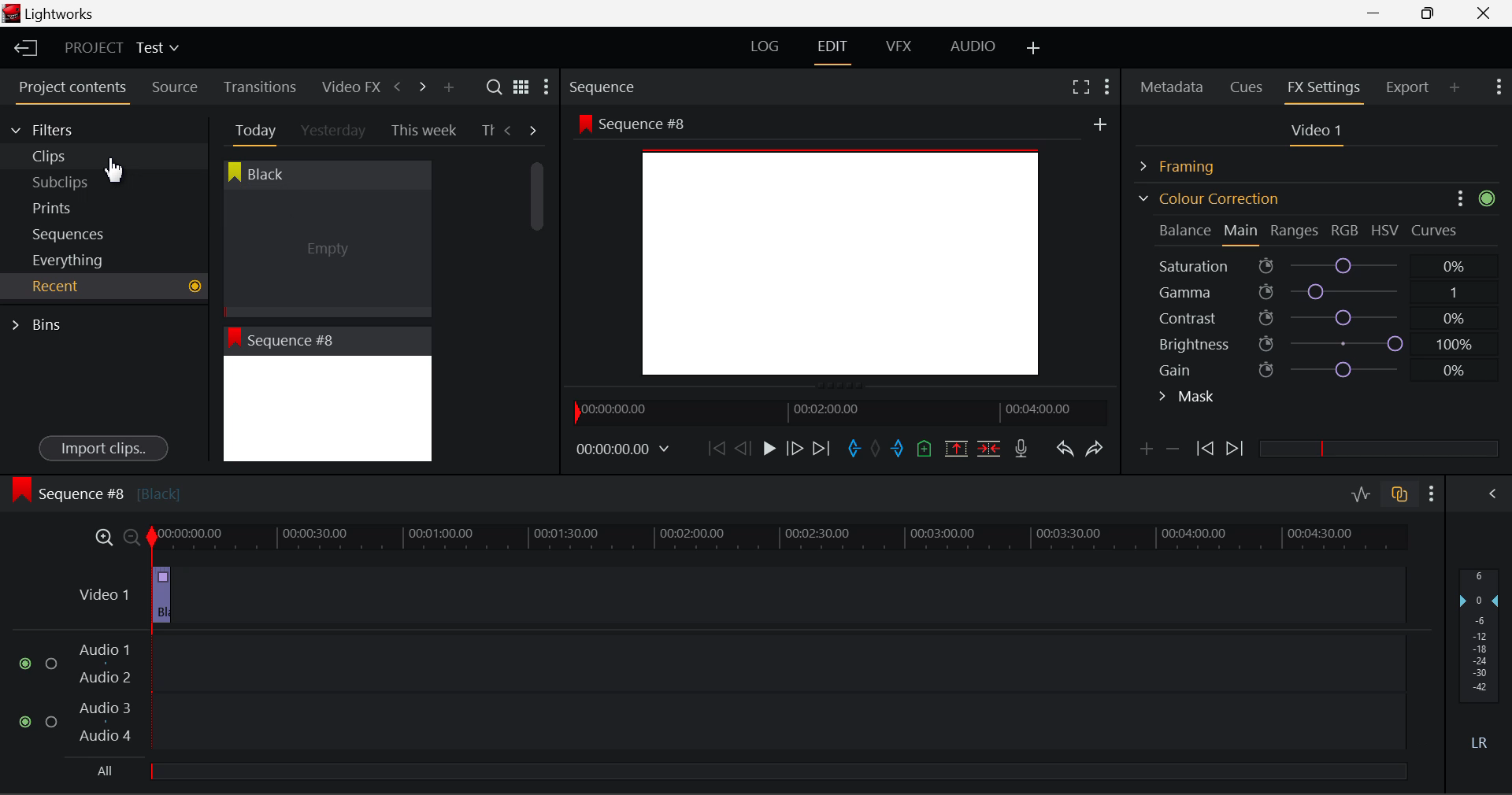 This screenshot has height=795, width=1512. What do you see at coordinates (1362, 492) in the screenshot?
I see `Toggle audio editing levels` at bounding box center [1362, 492].